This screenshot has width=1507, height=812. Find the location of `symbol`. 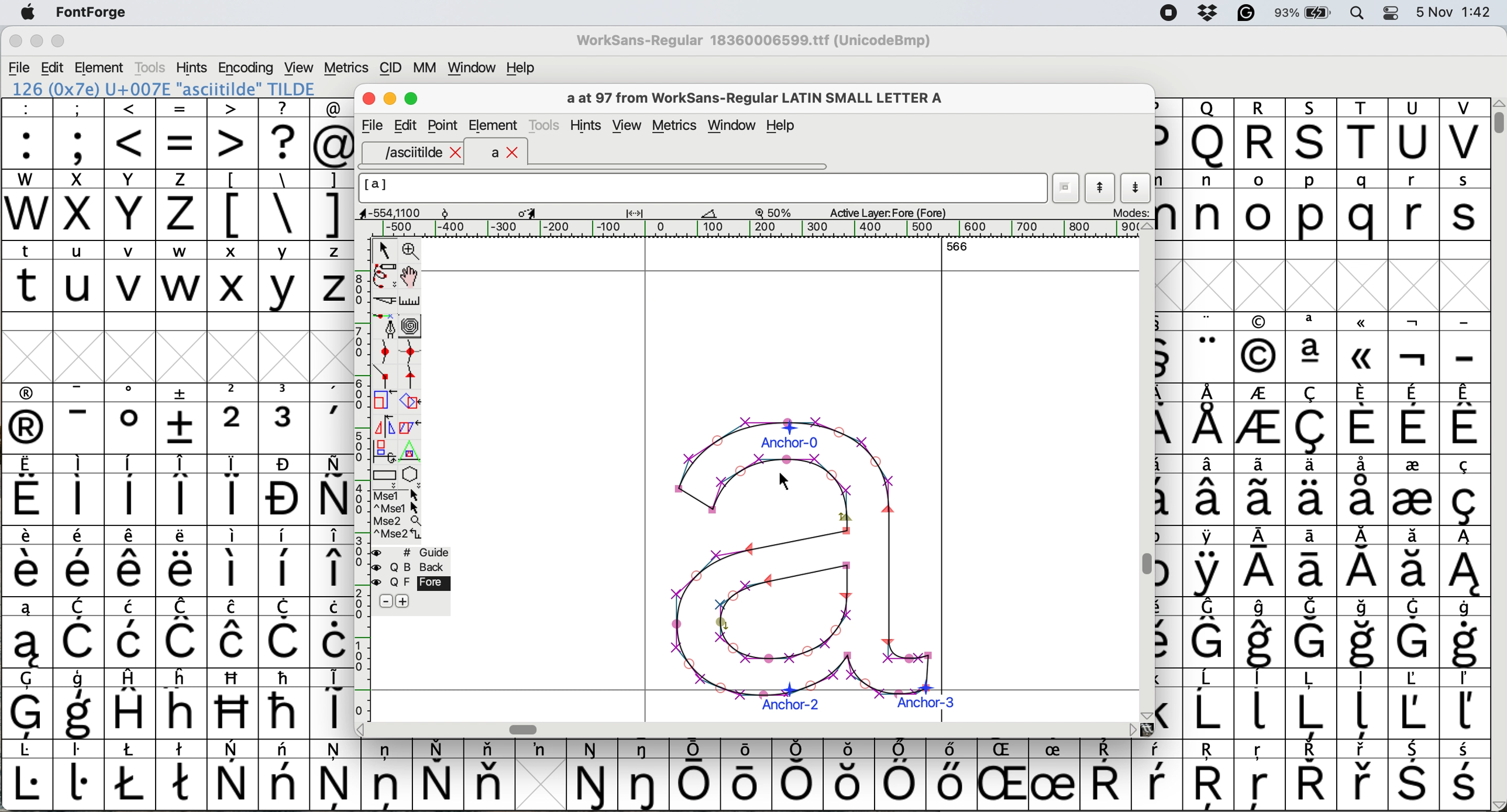

symbol is located at coordinates (1262, 490).